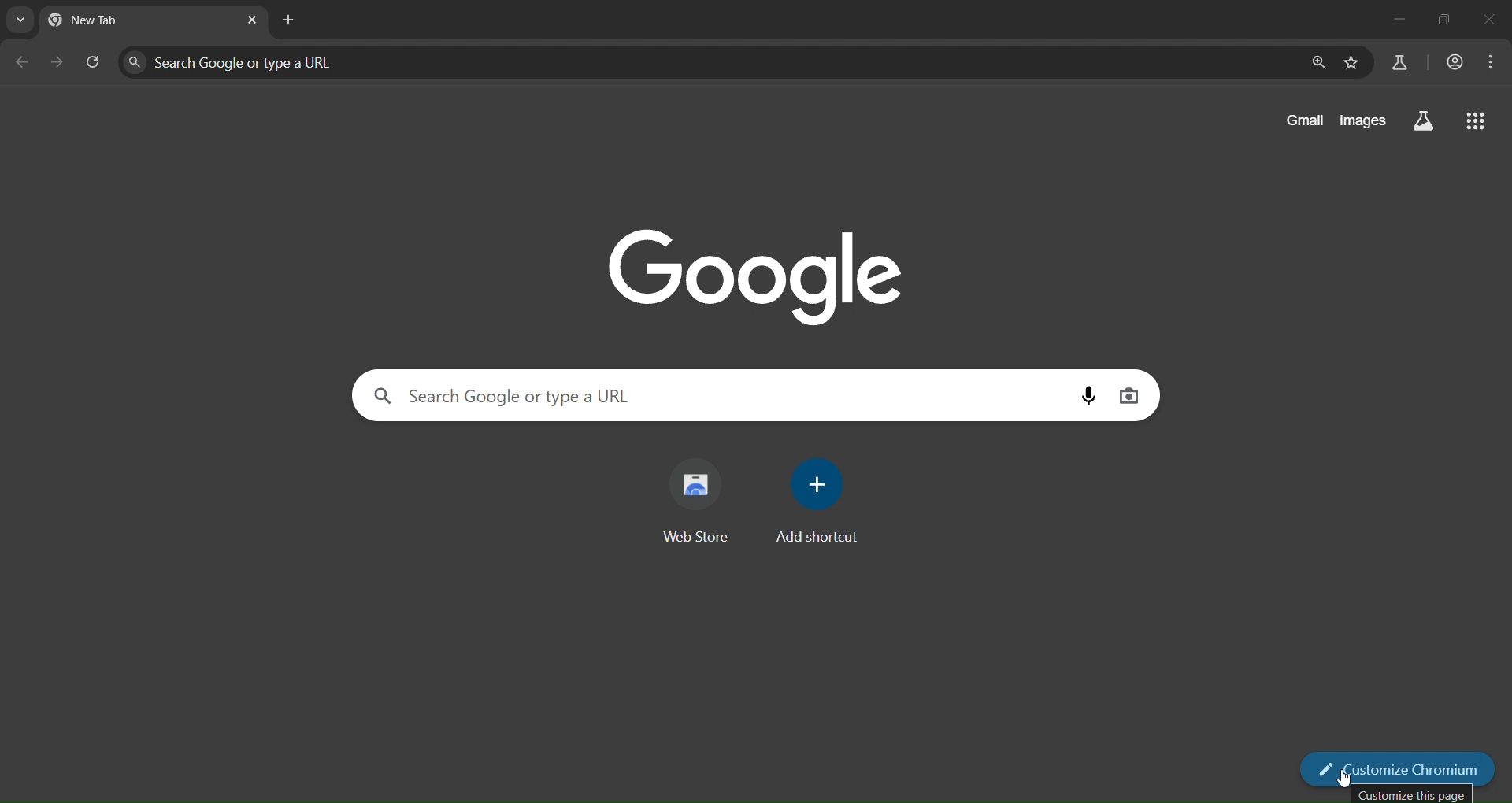 The width and height of the screenshot is (1512, 803). I want to click on searrch labs, so click(1424, 122).